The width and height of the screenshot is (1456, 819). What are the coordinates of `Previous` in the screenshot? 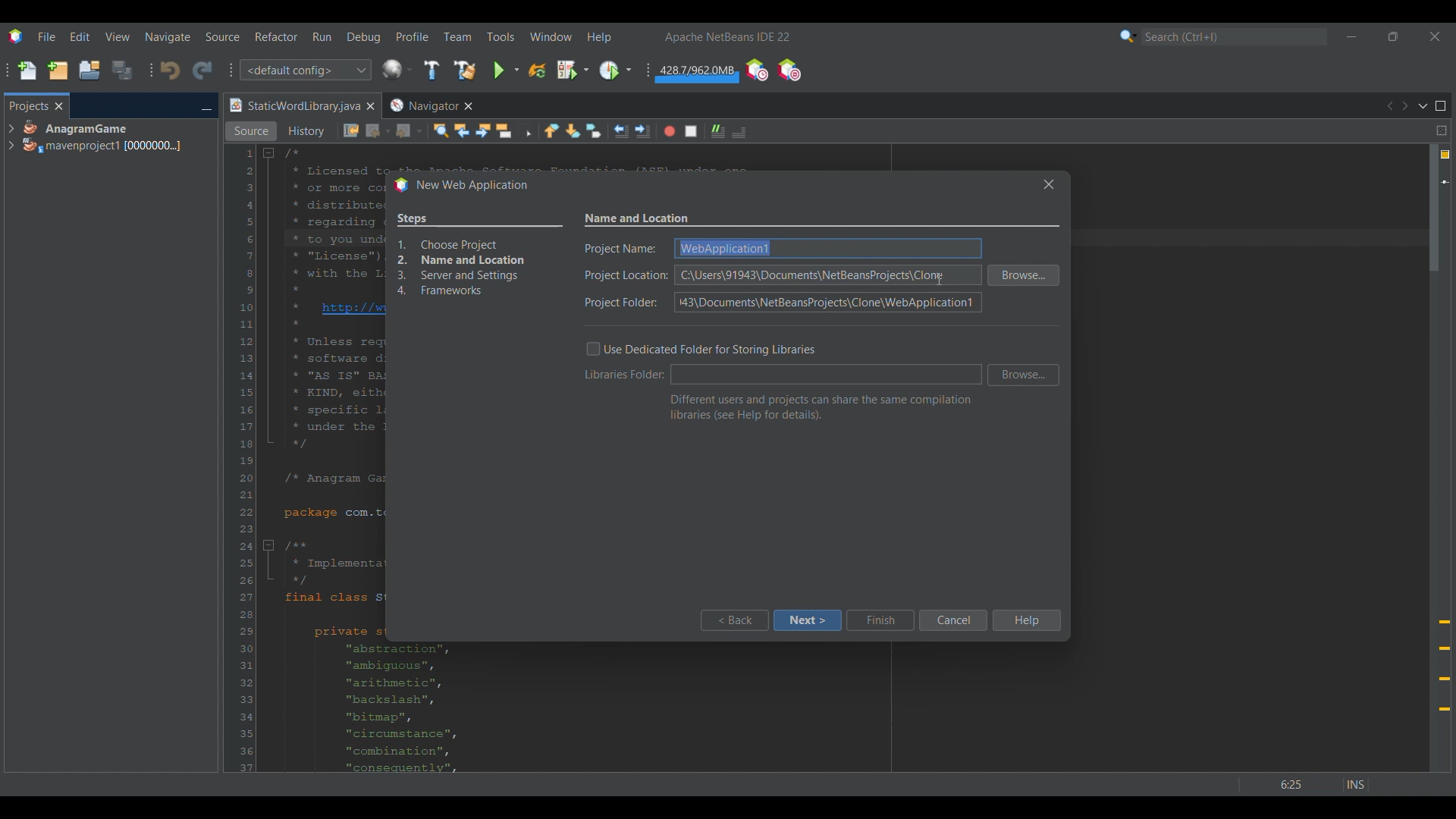 It's located at (1389, 106).